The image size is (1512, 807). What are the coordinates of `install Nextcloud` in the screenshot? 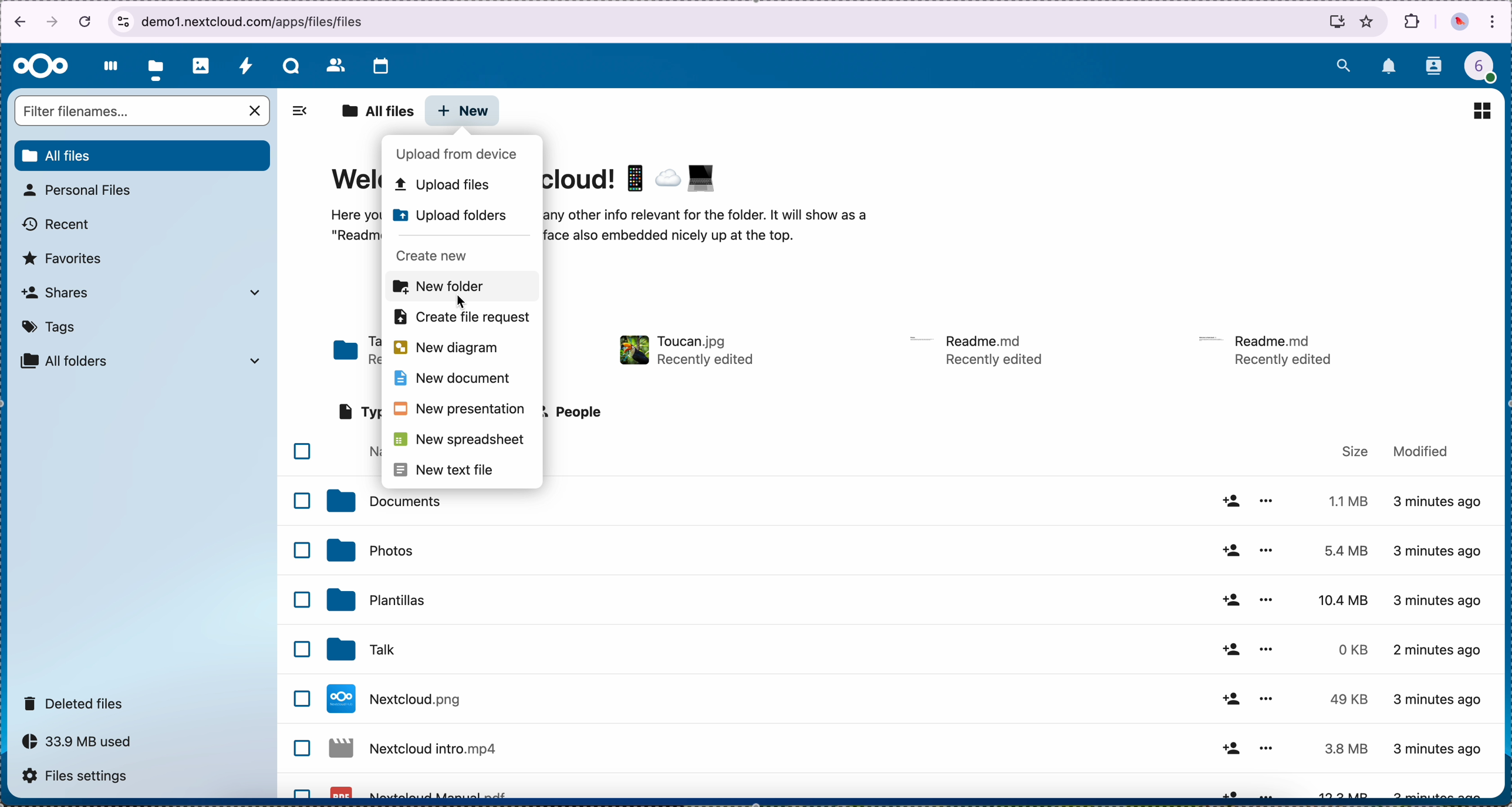 It's located at (1337, 24).